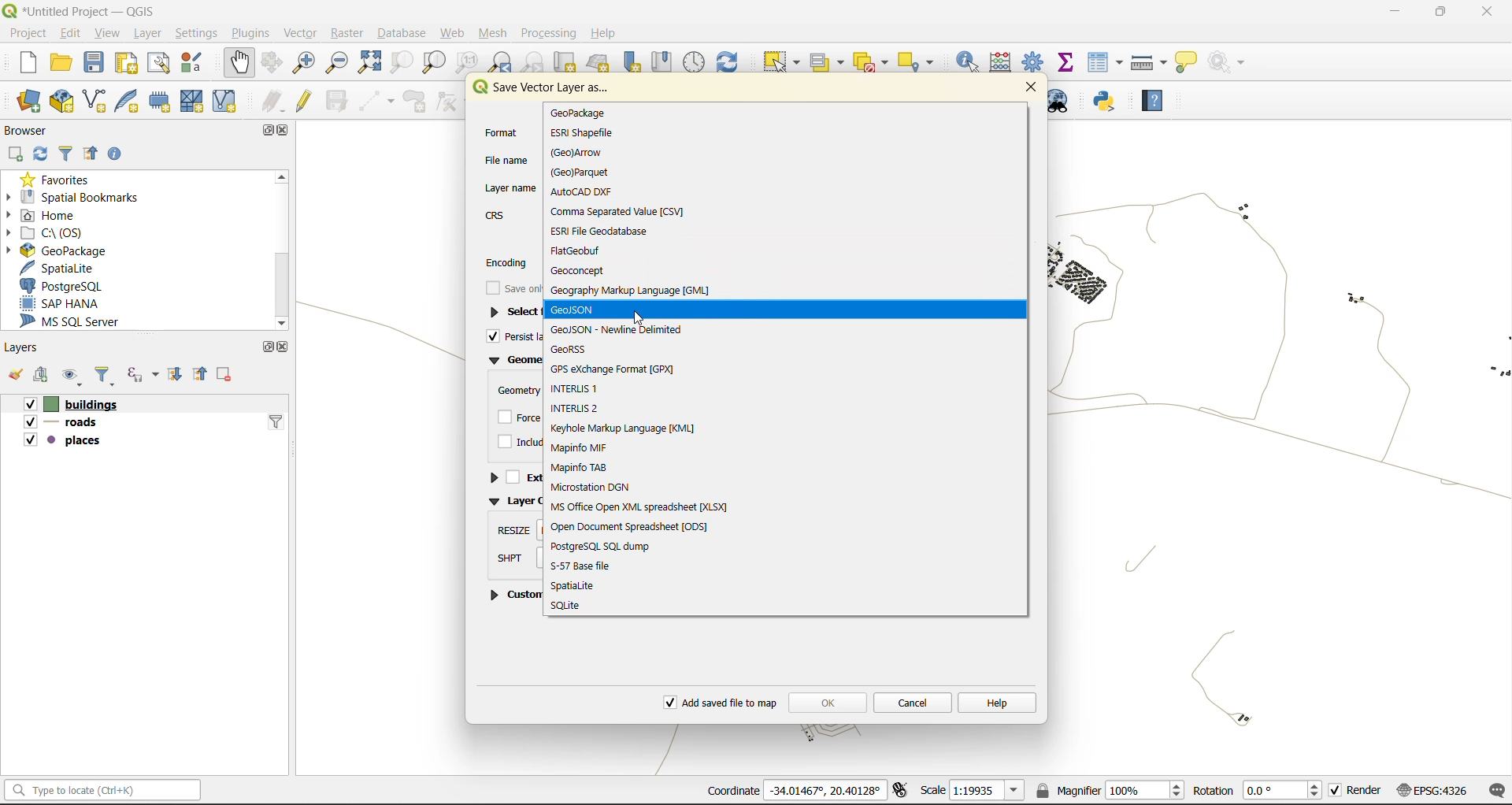  What do you see at coordinates (618, 212) in the screenshot?
I see `csv` at bounding box center [618, 212].